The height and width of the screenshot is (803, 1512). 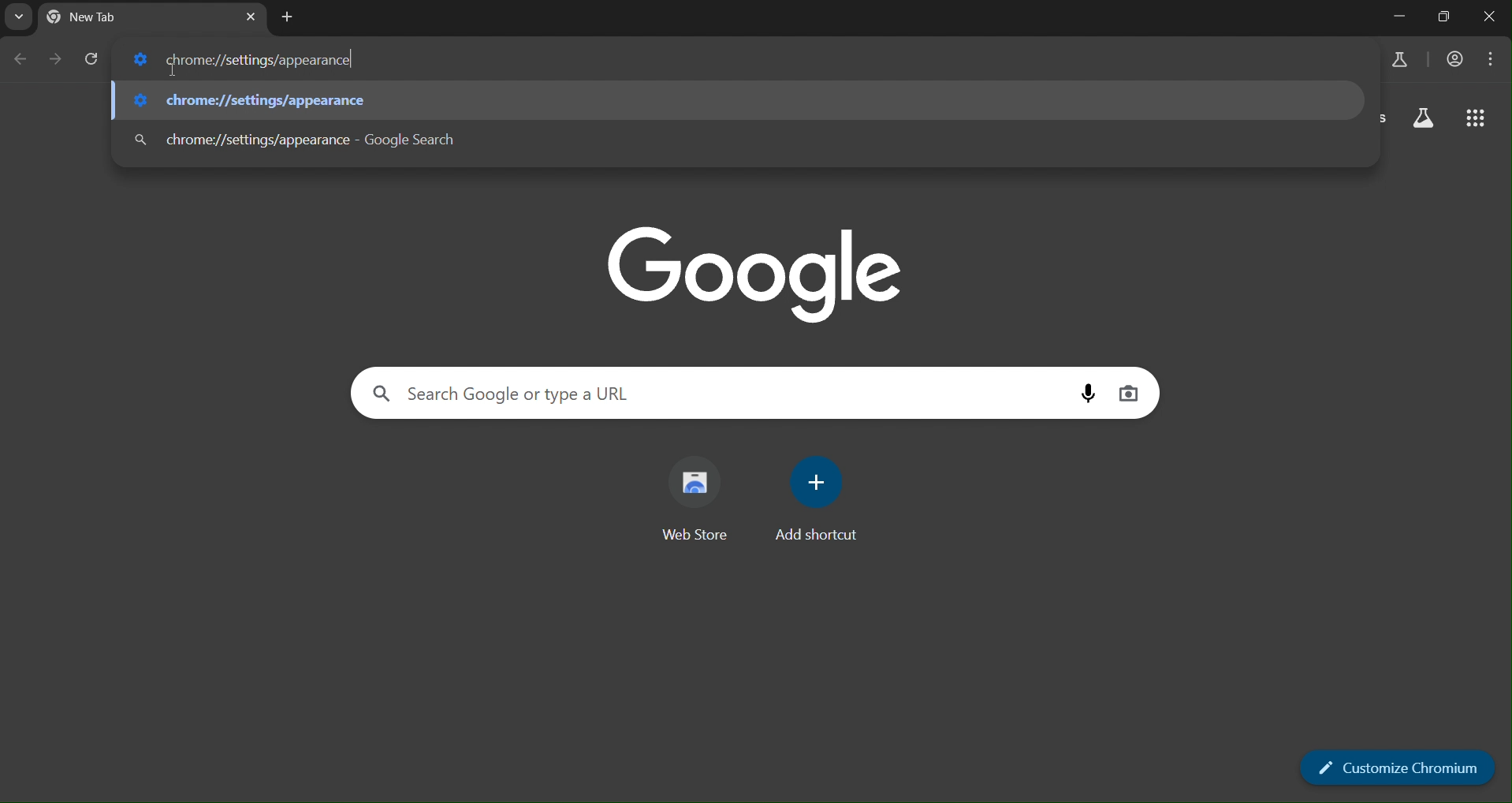 What do you see at coordinates (94, 60) in the screenshot?
I see `reload page` at bounding box center [94, 60].